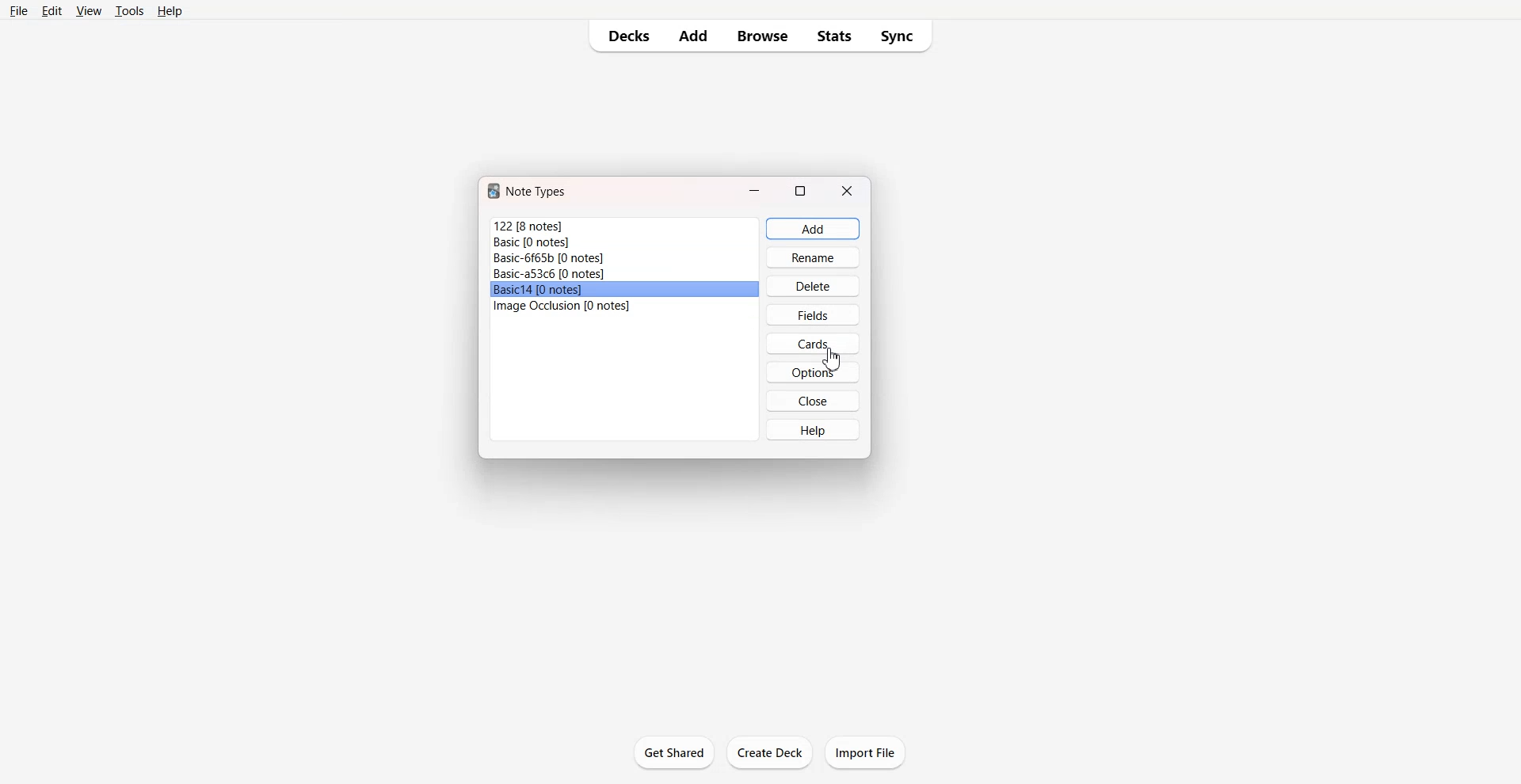  I want to click on Decks, so click(624, 36).